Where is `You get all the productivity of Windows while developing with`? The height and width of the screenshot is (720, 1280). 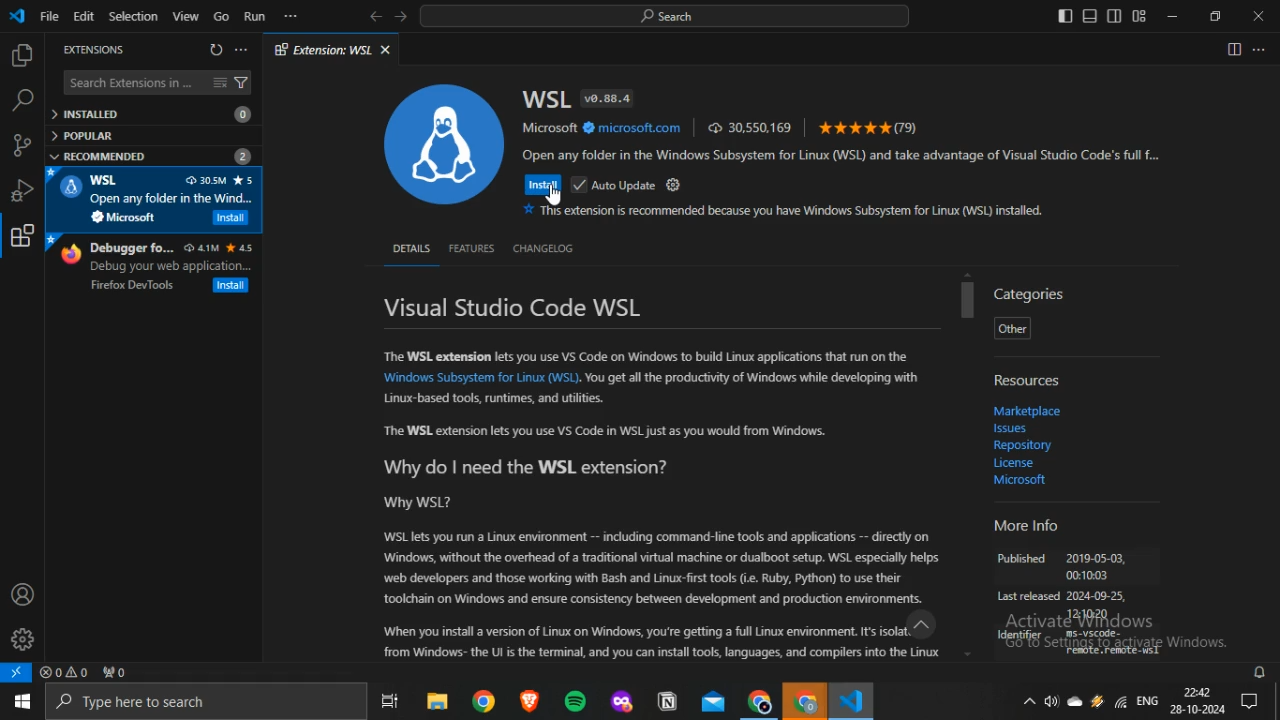
You get all the productivity of Windows while developing with is located at coordinates (752, 378).